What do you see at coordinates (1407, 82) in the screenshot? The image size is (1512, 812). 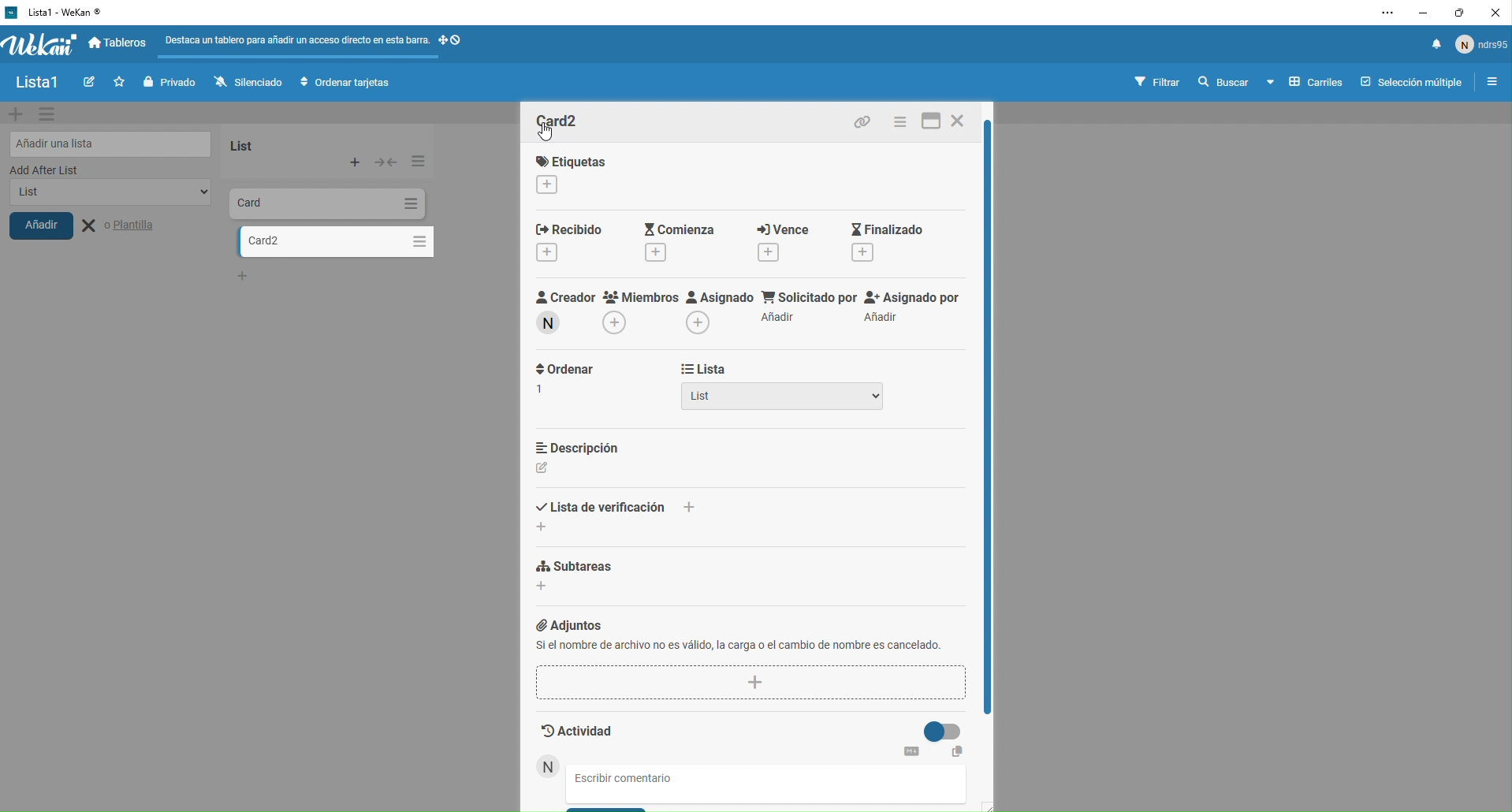 I see `seleccion multiple` at bounding box center [1407, 82].